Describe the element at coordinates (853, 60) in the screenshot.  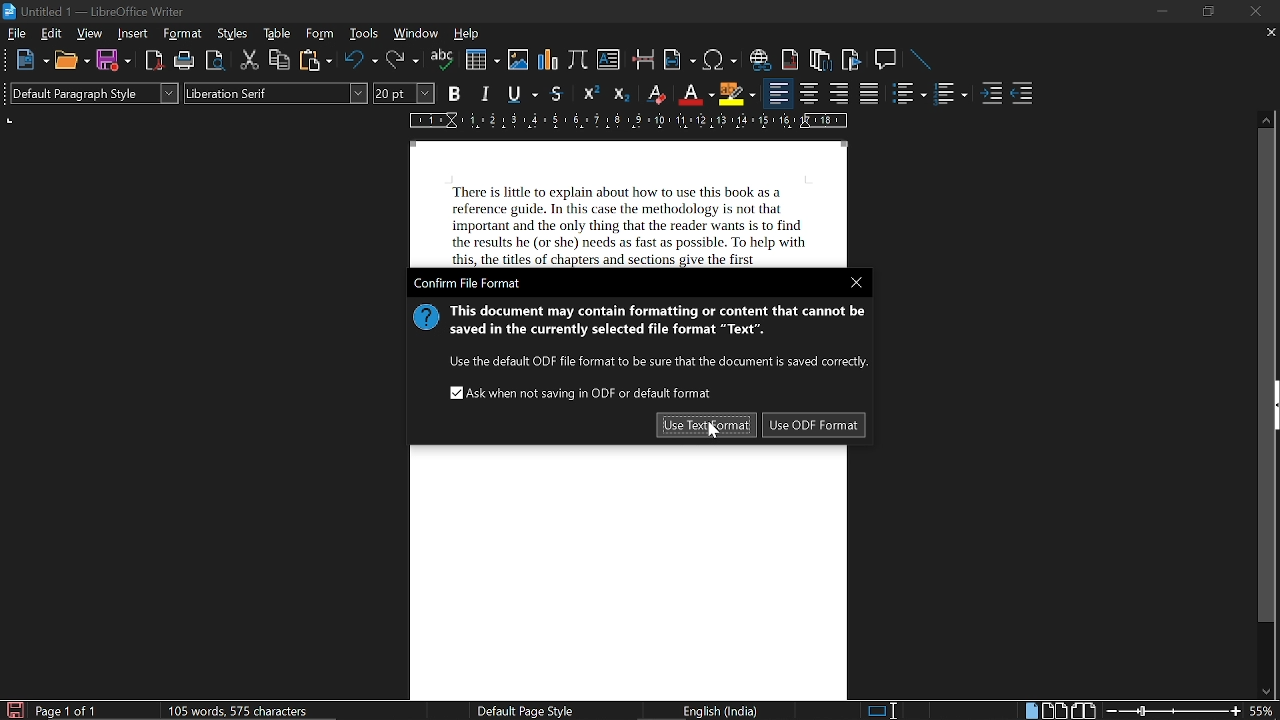
I see `insert bookmark` at that location.